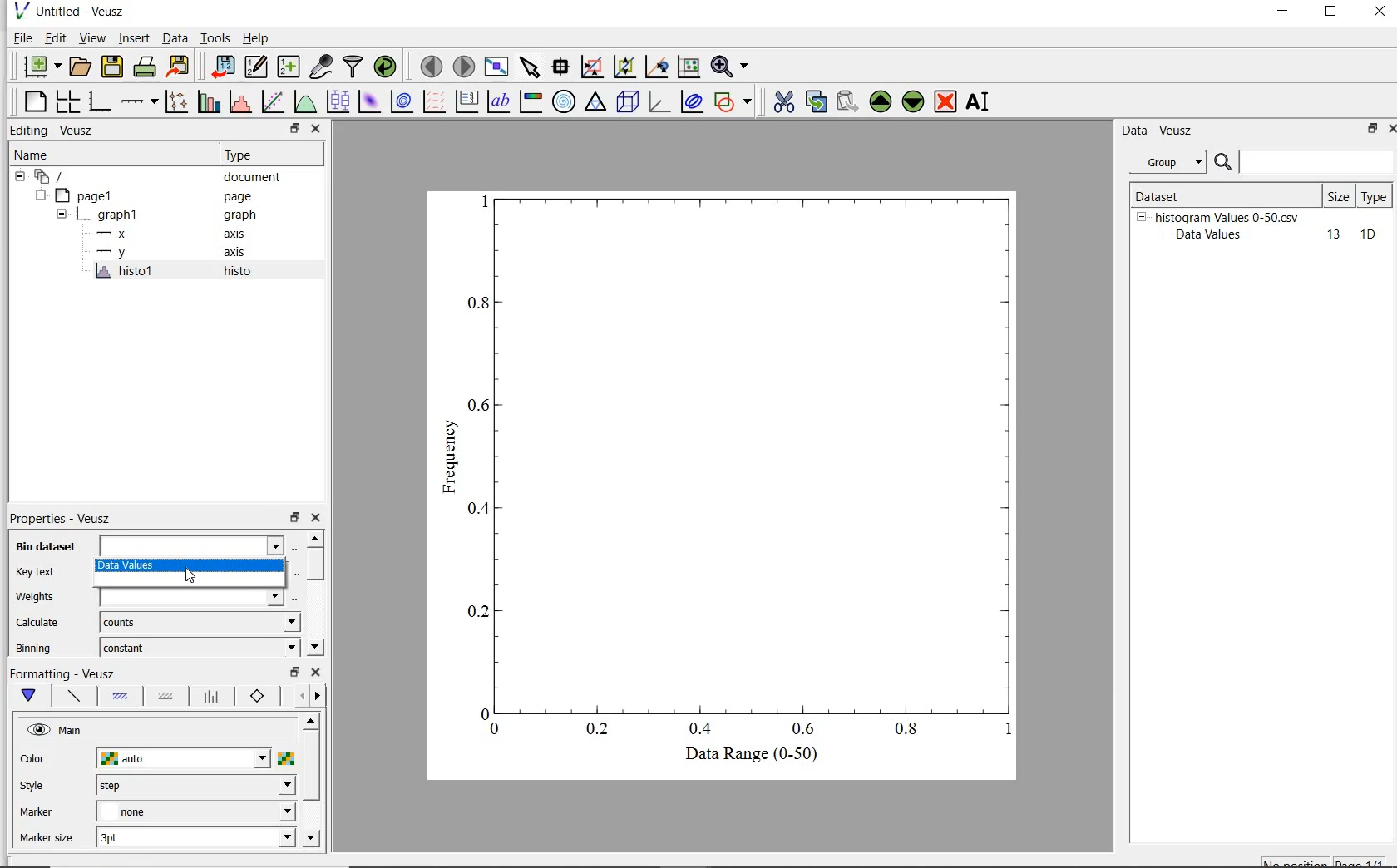 The height and width of the screenshot is (868, 1397). What do you see at coordinates (134, 38) in the screenshot?
I see `insert` at bounding box center [134, 38].